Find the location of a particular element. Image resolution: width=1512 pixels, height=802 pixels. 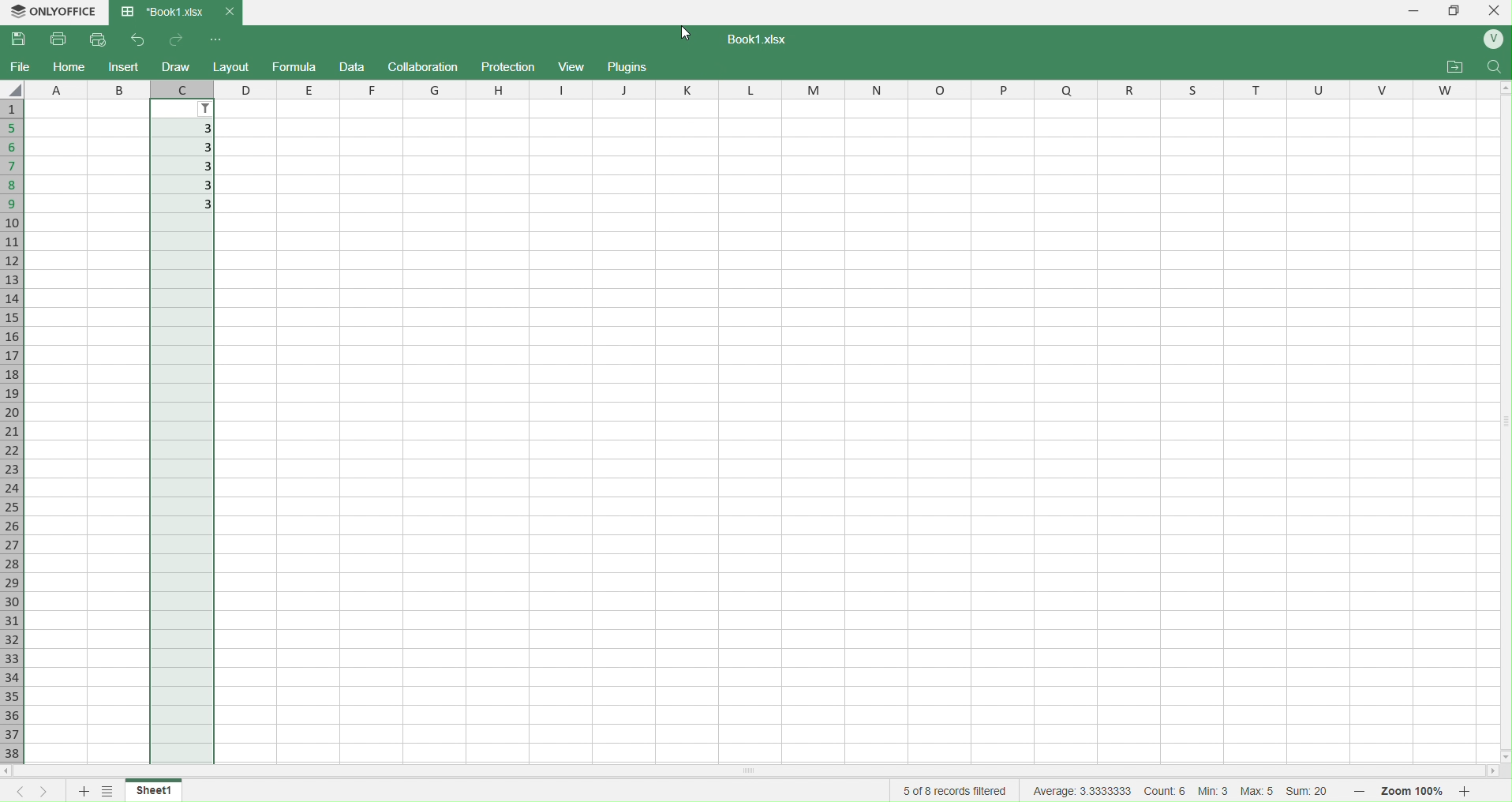

3 is located at coordinates (183, 166).